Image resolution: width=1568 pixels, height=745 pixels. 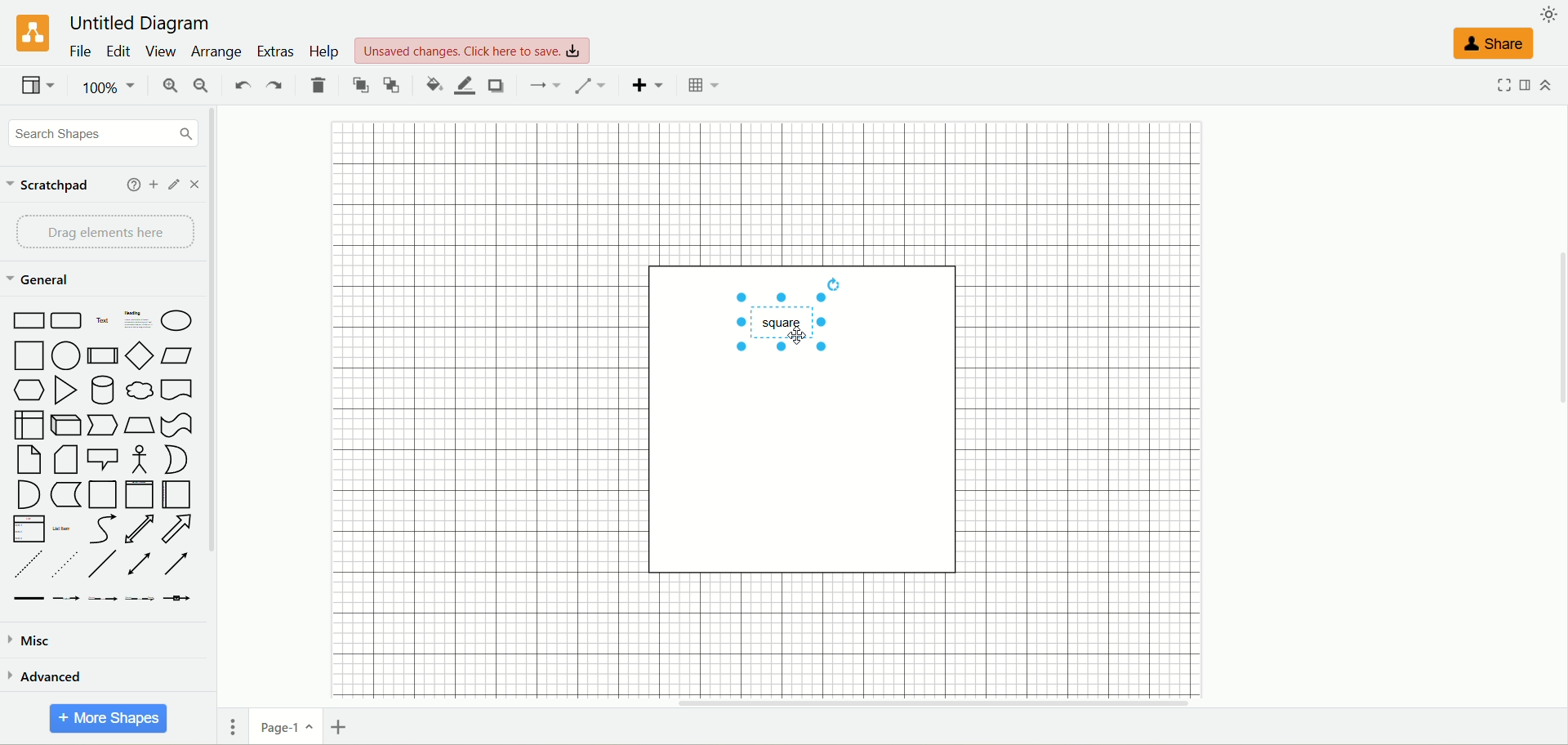 What do you see at coordinates (45, 281) in the screenshot?
I see `general` at bounding box center [45, 281].